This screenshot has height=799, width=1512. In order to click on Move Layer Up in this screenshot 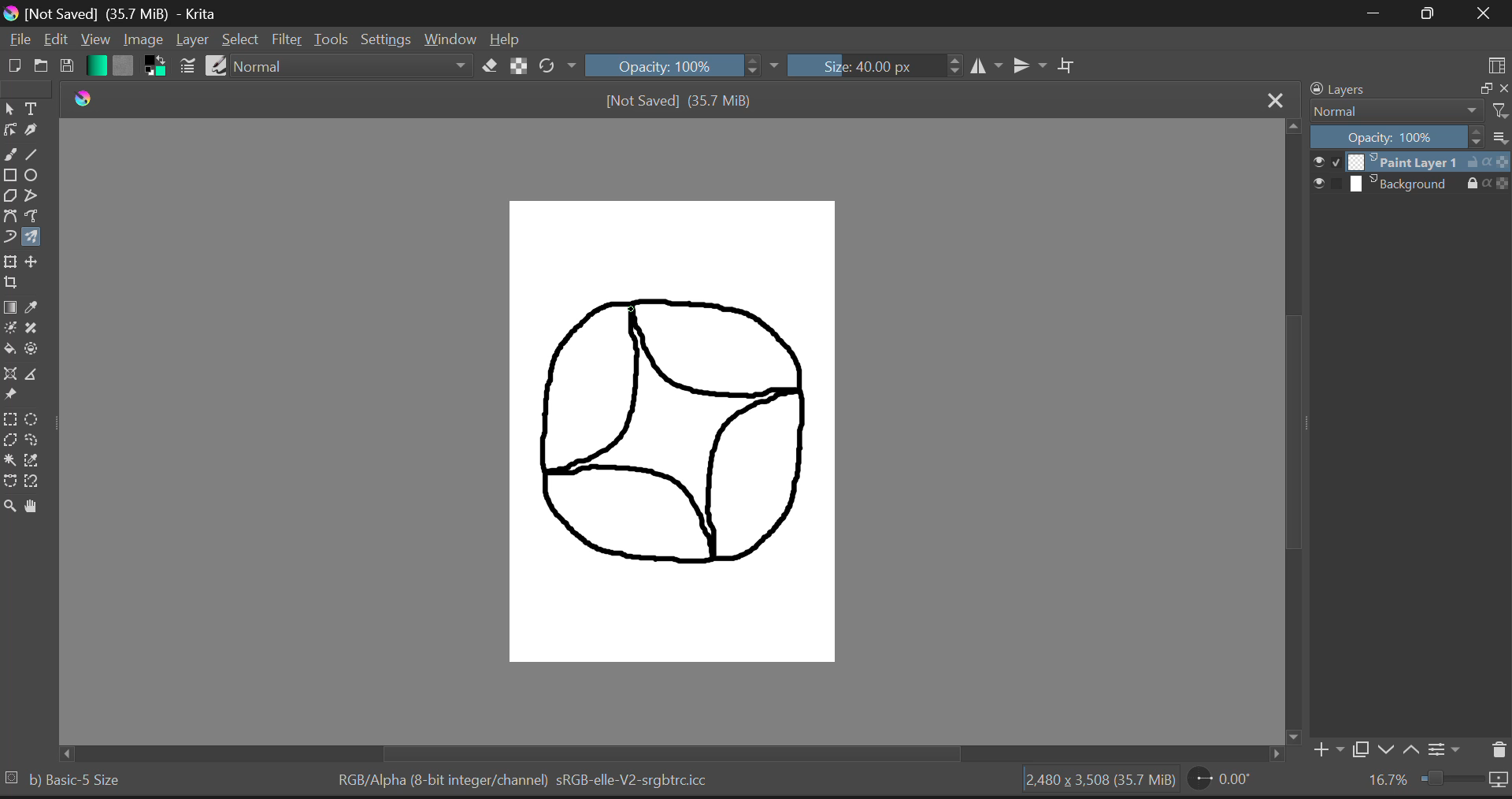, I will do `click(1416, 750)`.